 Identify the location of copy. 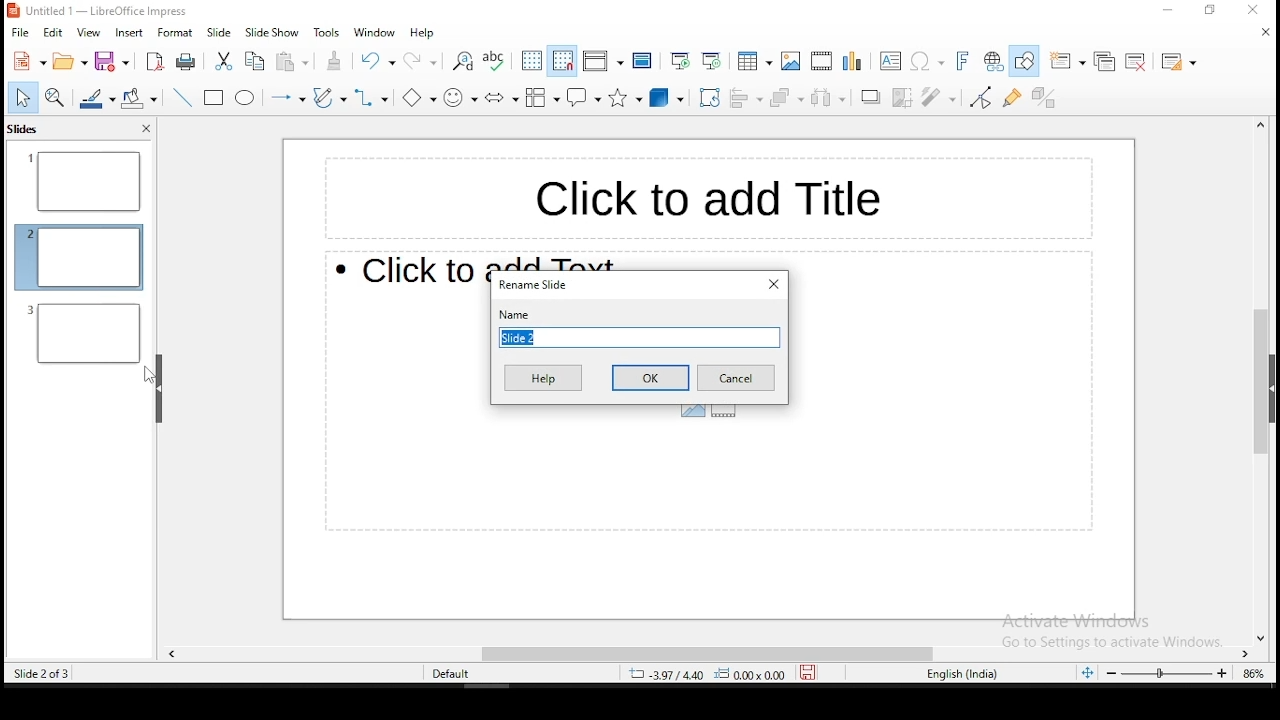
(257, 62).